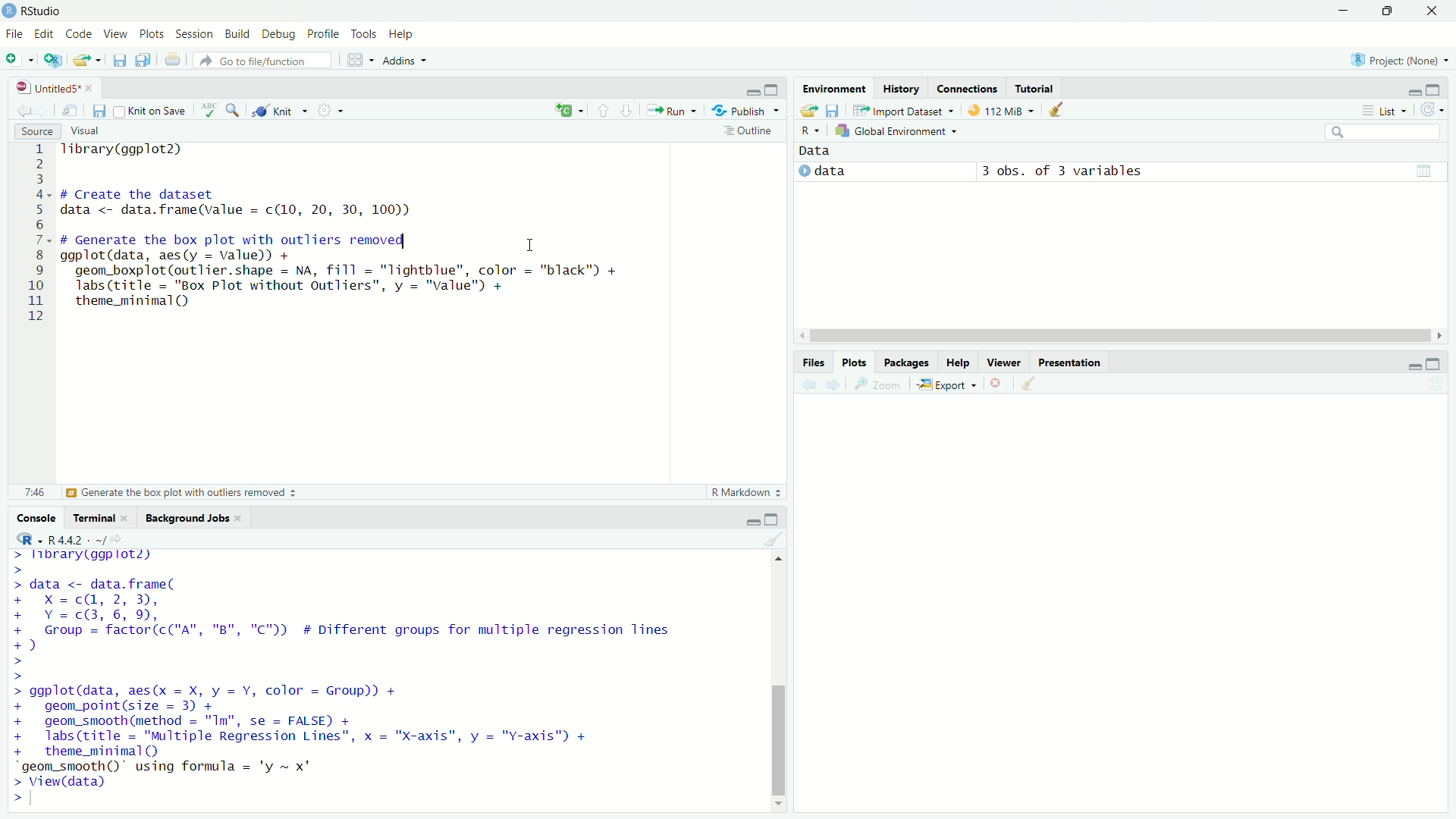 Image resolution: width=1456 pixels, height=819 pixels. What do you see at coordinates (1003, 361) in the screenshot?
I see `Viewer` at bounding box center [1003, 361].